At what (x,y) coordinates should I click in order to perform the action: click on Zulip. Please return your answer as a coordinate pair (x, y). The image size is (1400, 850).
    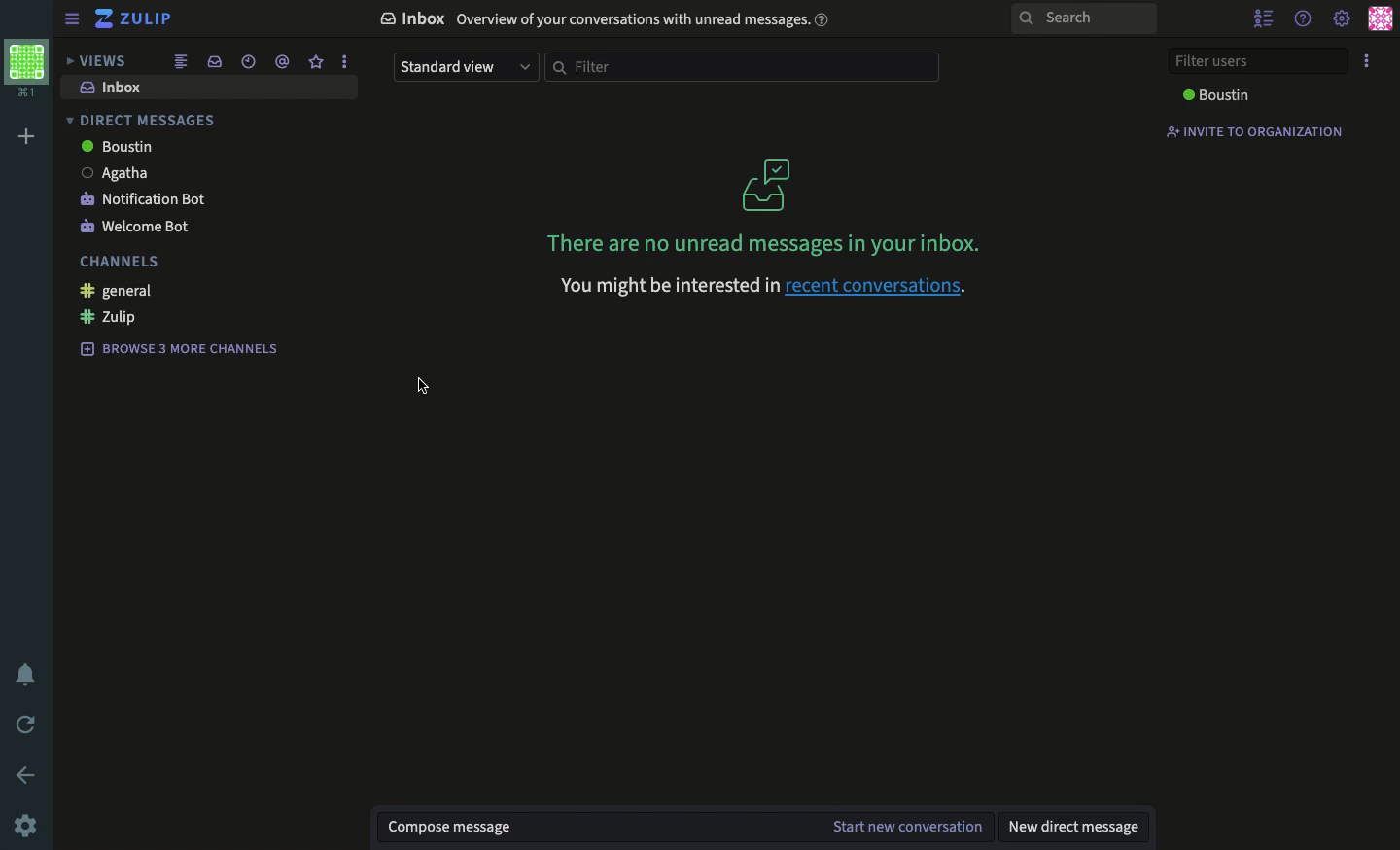
    Looking at the image, I should click on (126, 318).